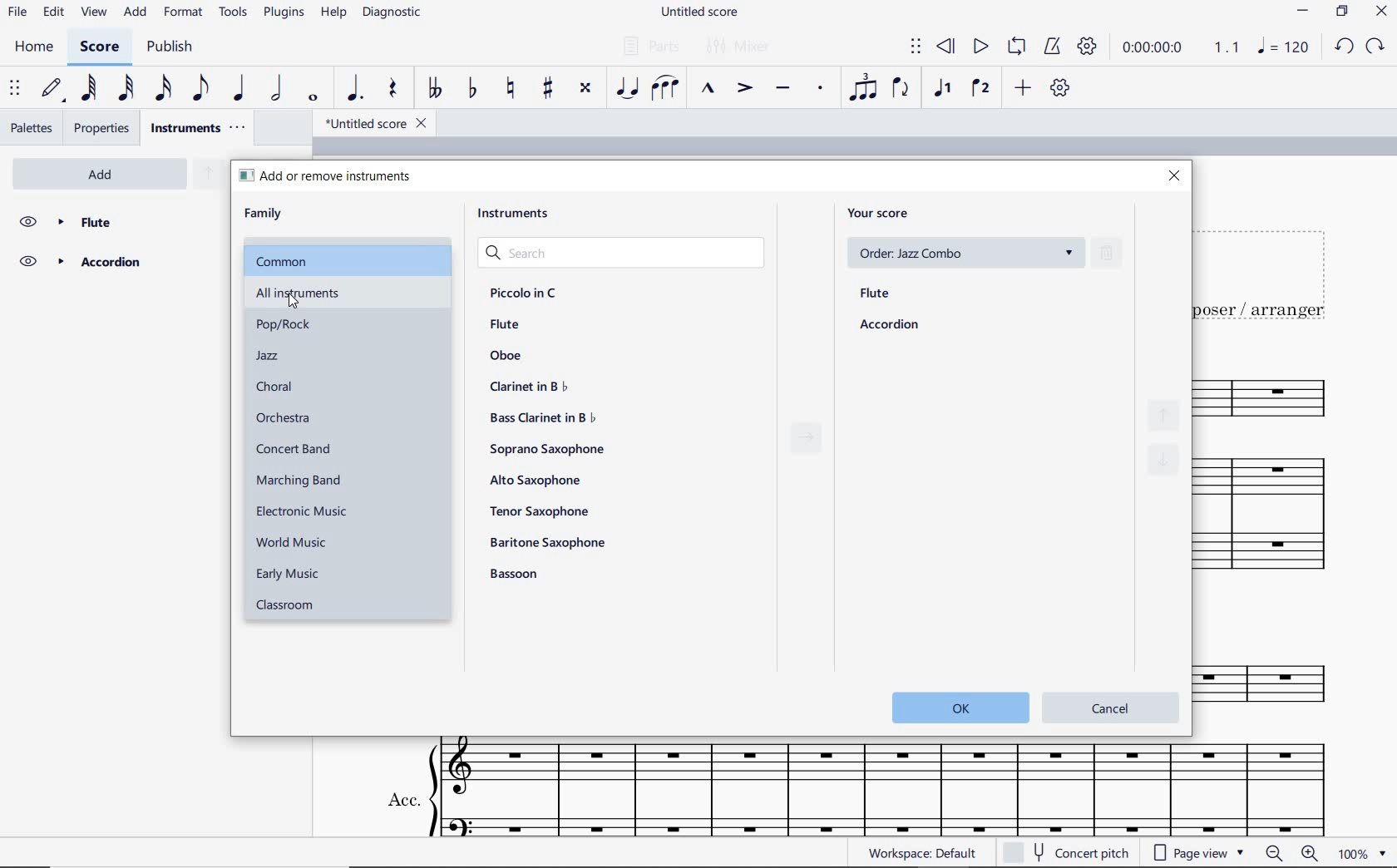 The height and width of the screenshot is (868, 1397). What do you see at coordinates (547, 89) in the screenshot?
I see `toggle sharp` at bounding box center [547, 89].